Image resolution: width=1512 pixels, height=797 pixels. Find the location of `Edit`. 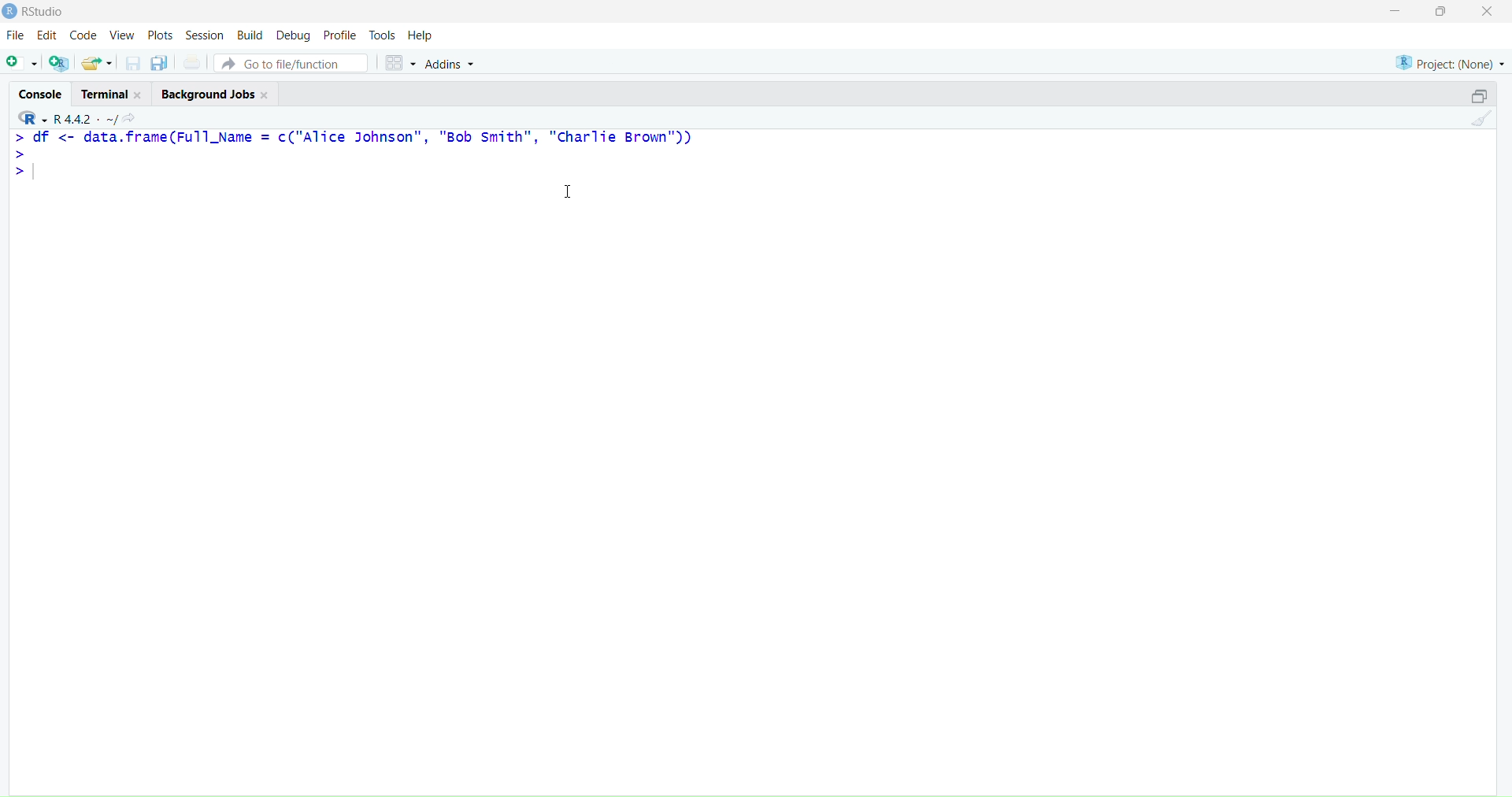

Edit is located at coordinates (46, 35).